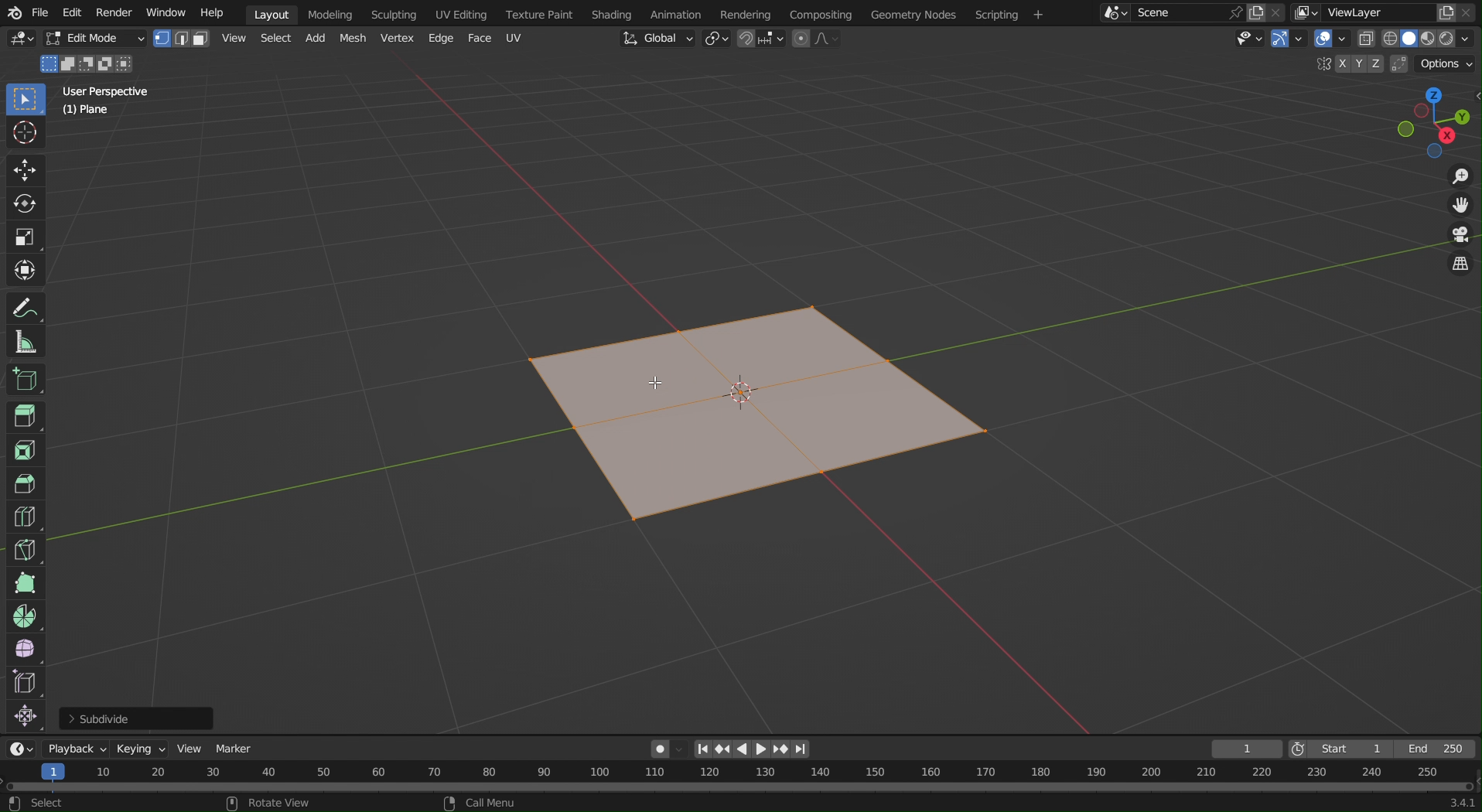 Image resolution: width=1482 pixels, height=812 pixels. I want to click on UV, so click(514, 37).